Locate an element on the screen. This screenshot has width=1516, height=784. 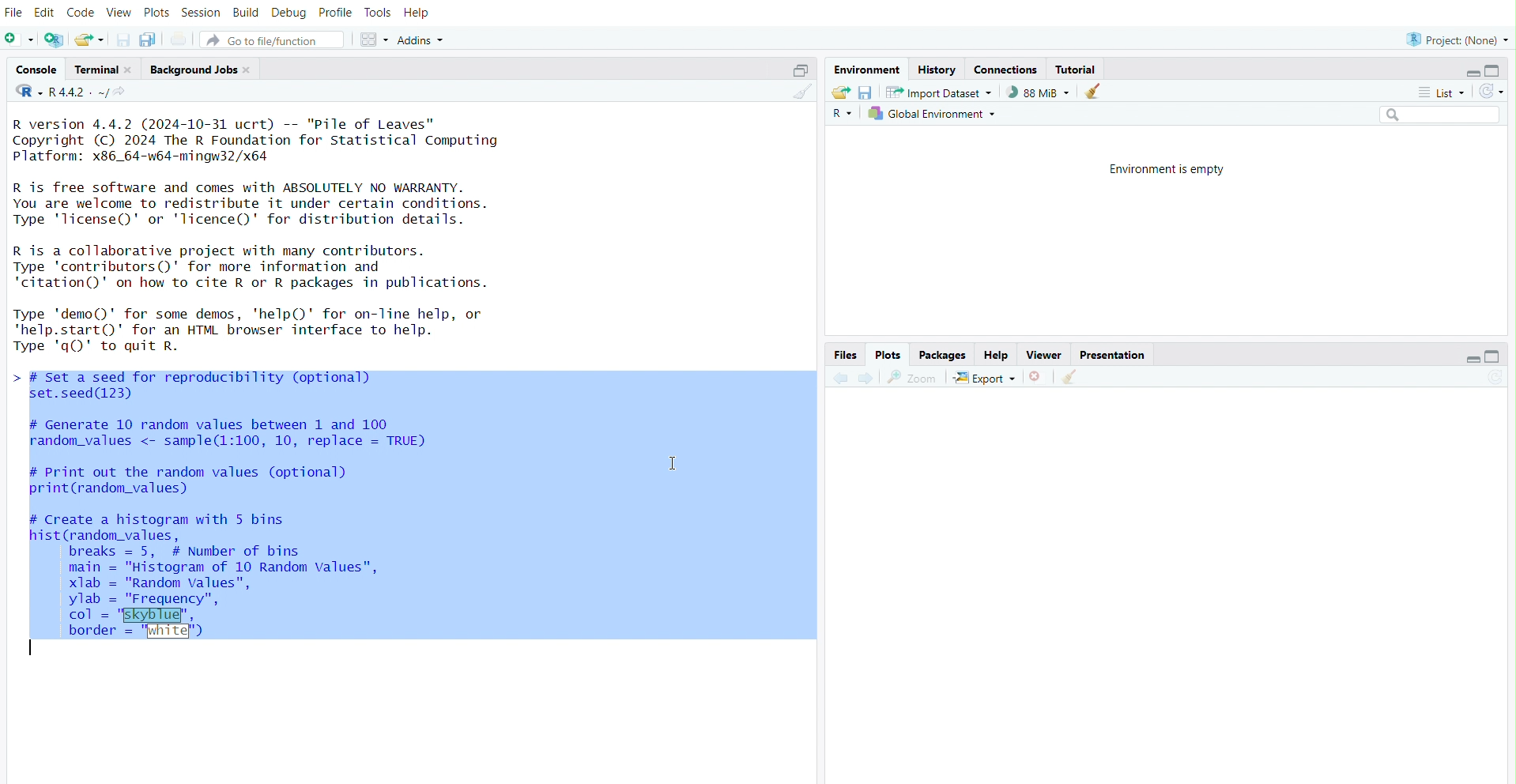
global environment is located at coordinates (938, 115).